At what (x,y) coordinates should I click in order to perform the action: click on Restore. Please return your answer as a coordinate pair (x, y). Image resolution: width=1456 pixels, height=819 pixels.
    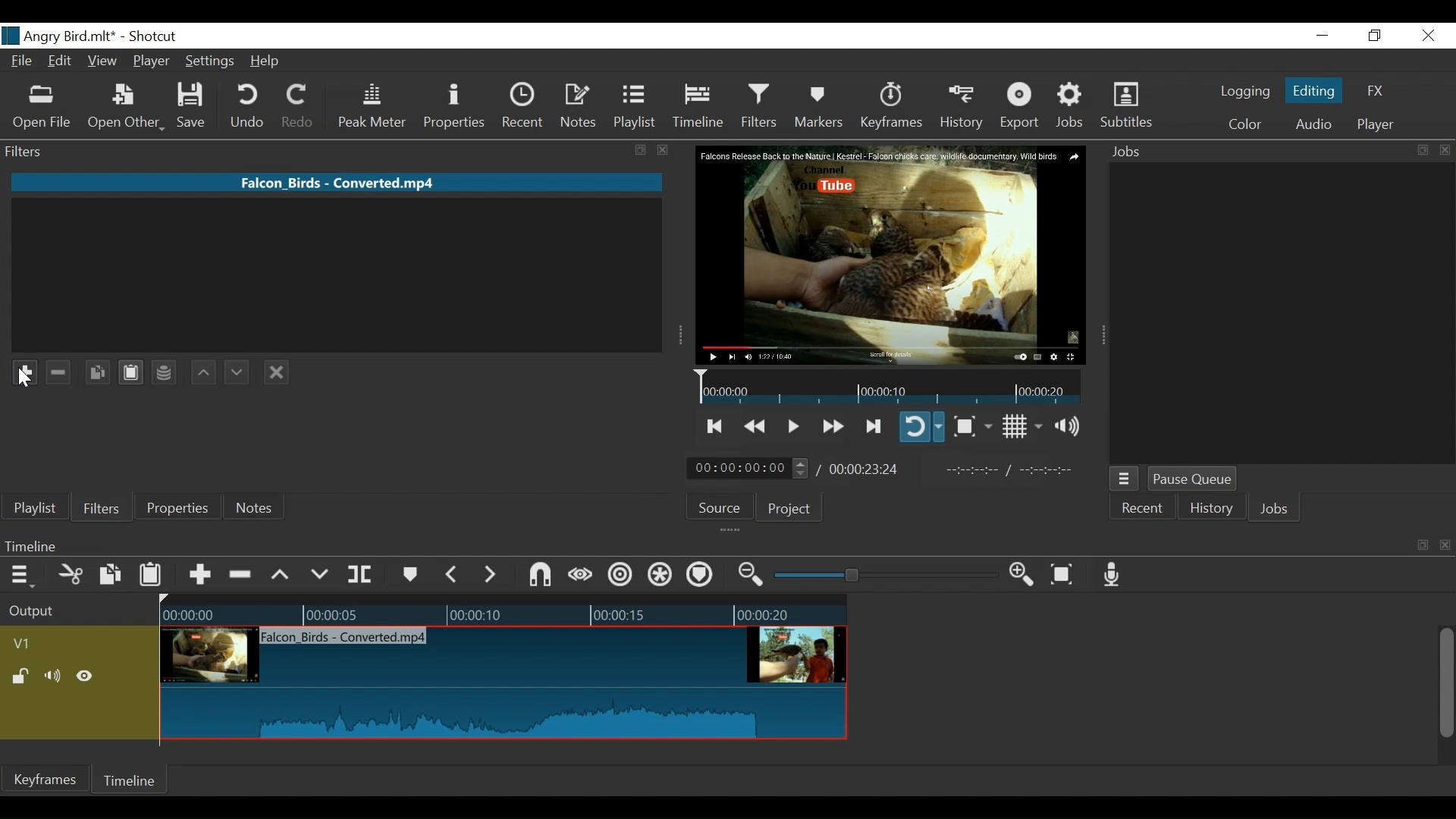
    Looking at the image, I should click on (1375, 36).